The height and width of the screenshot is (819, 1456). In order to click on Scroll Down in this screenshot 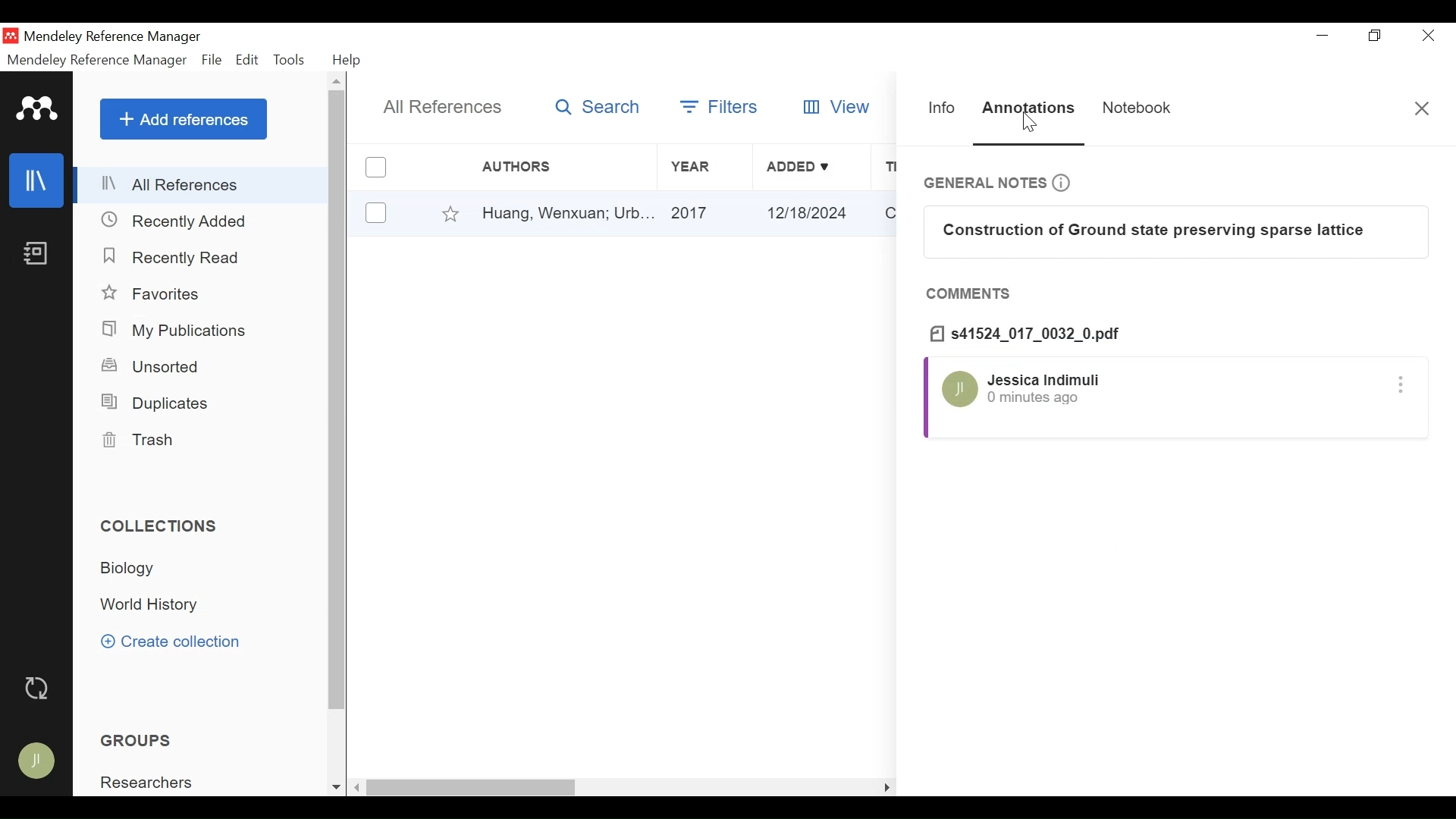, I will do `click(334, 788)`.